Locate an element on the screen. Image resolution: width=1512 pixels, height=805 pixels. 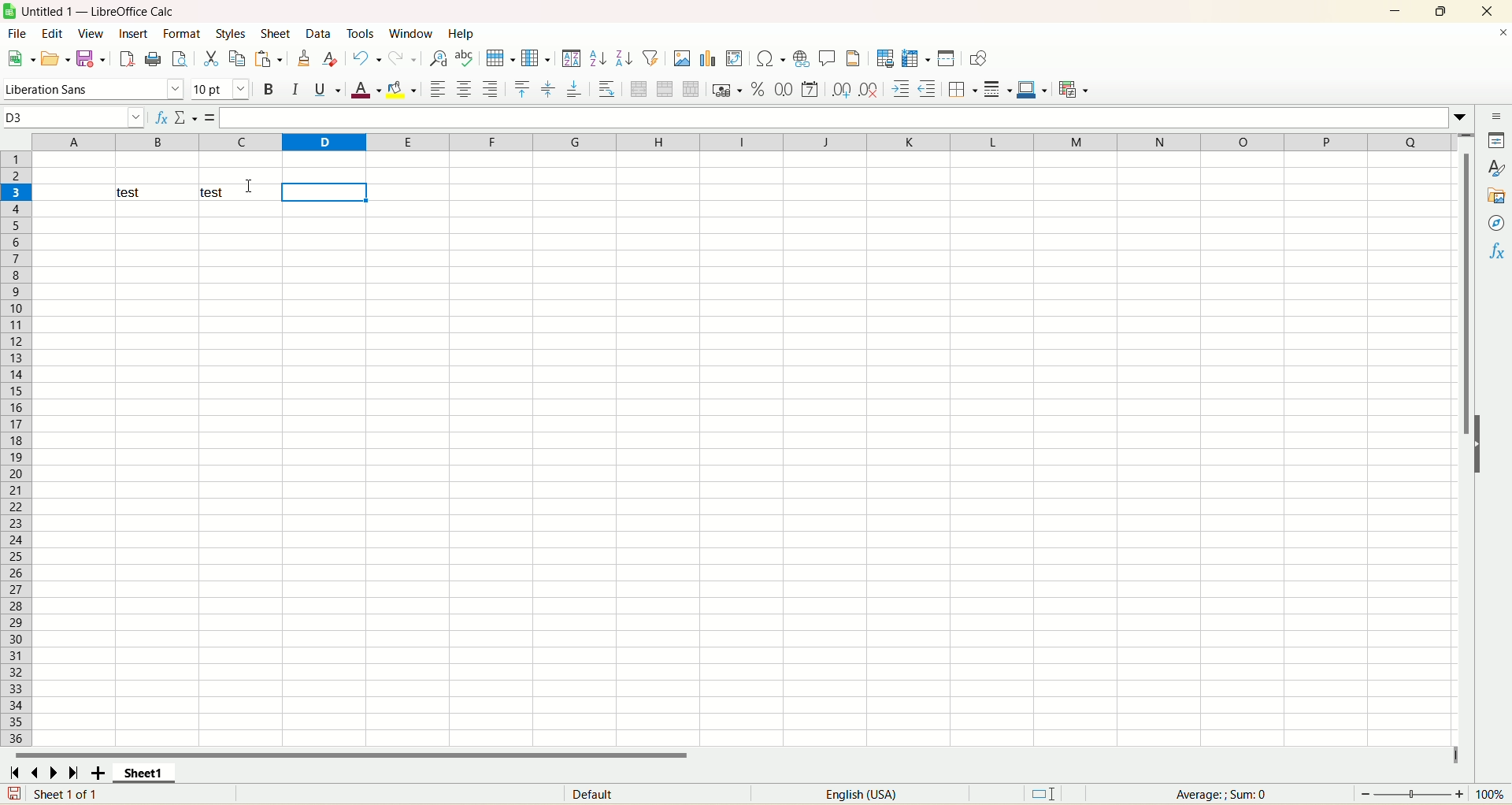
align bottom is located at coordinates (575, 88).